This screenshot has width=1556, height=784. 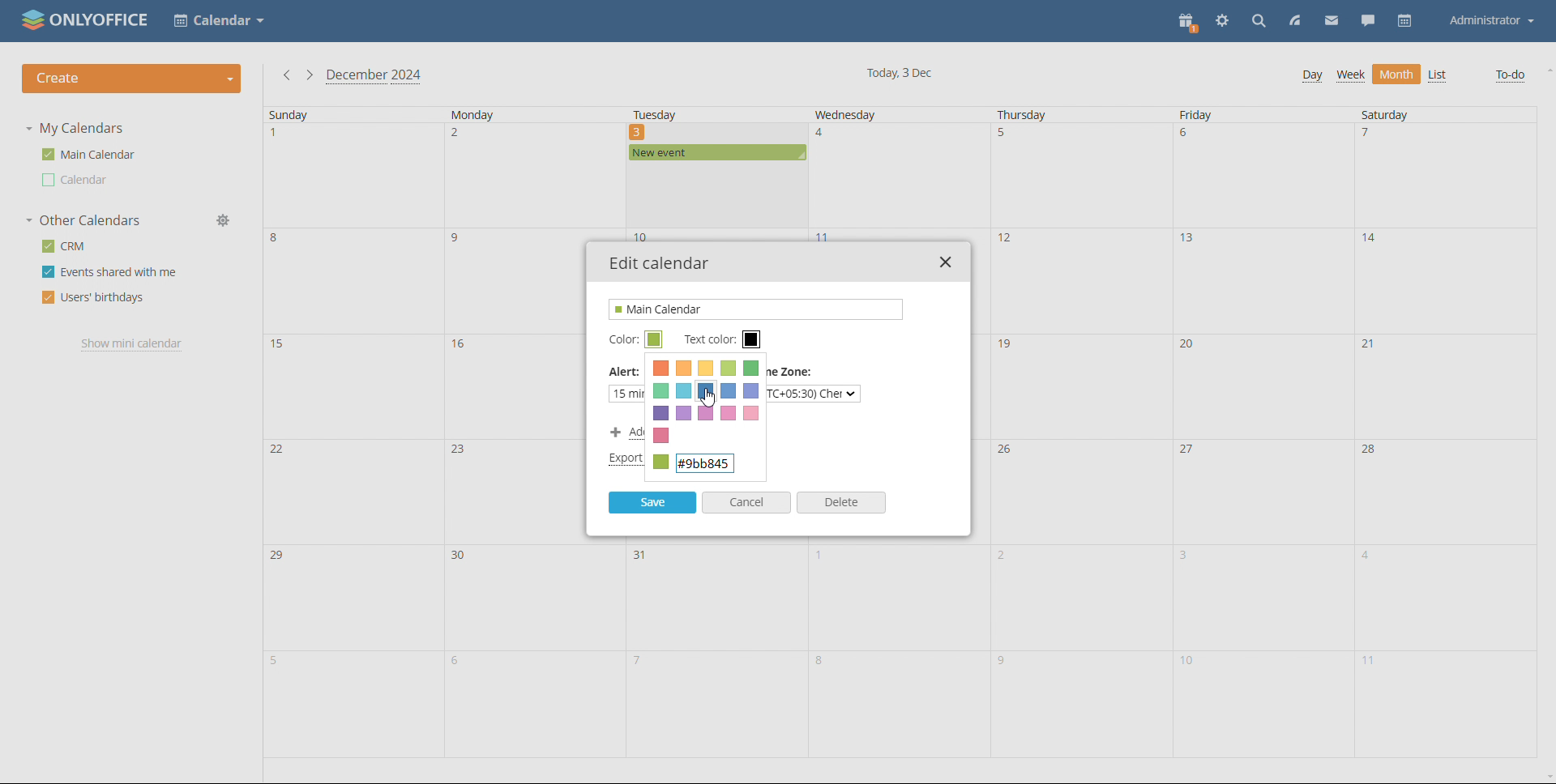 I want to click on date, so click(x=1078, y=598).